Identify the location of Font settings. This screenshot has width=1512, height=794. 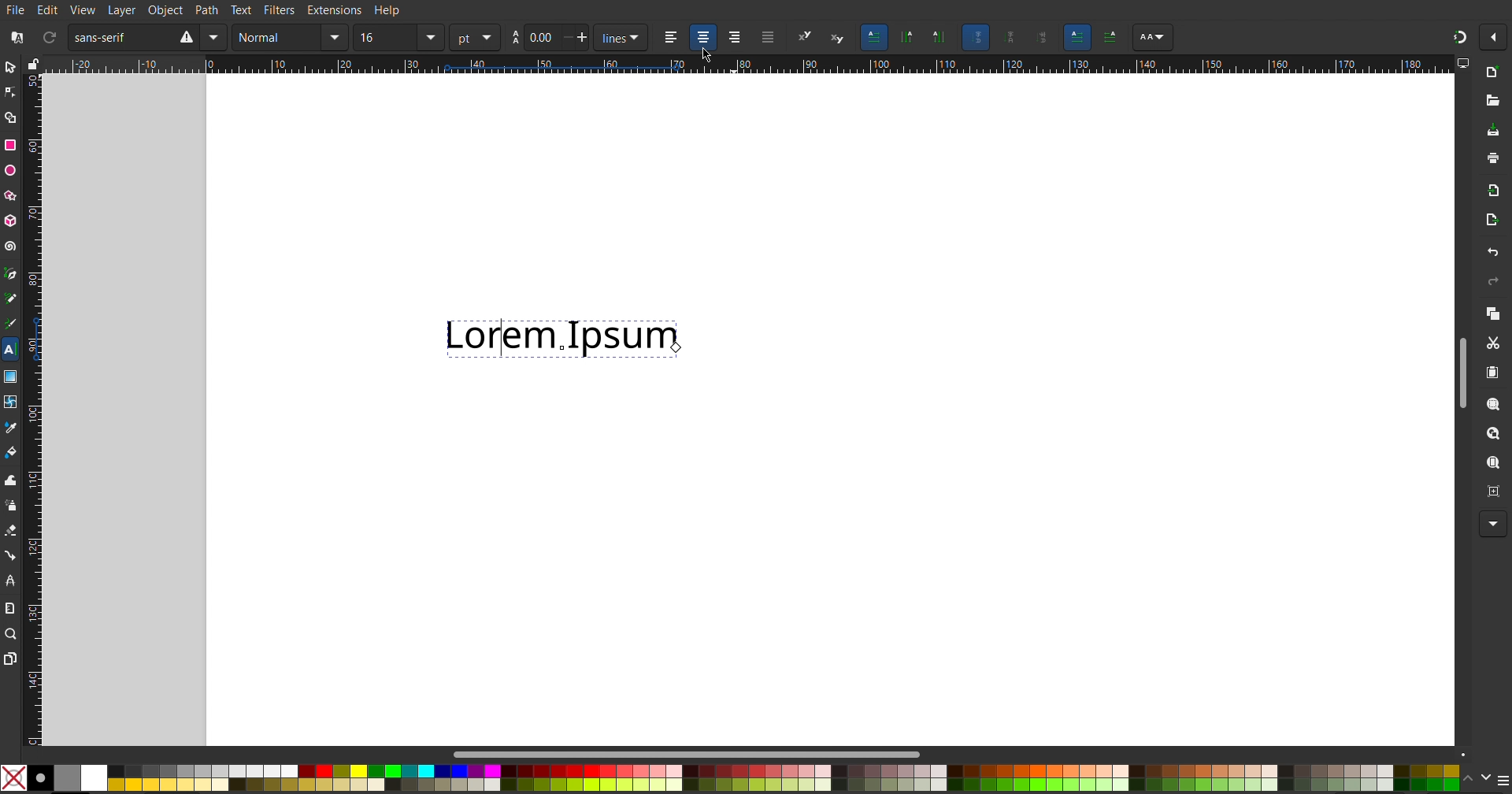
(1151, 39).